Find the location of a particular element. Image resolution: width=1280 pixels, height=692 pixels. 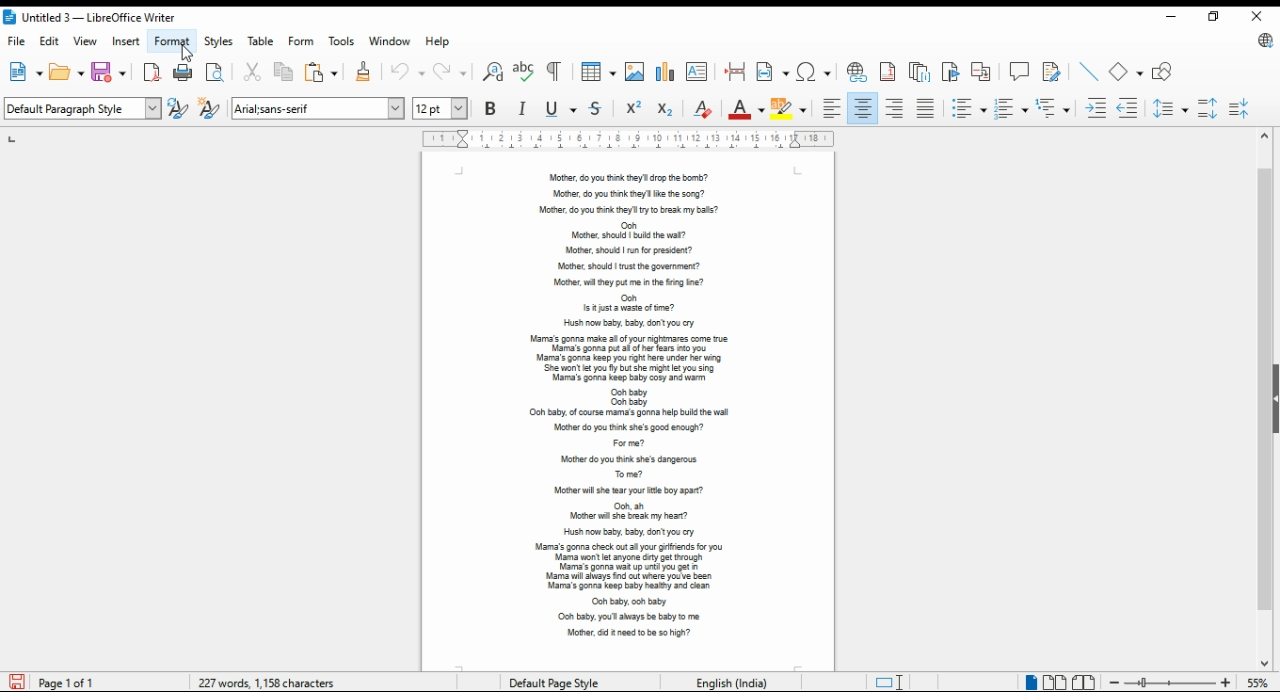

restore is located at coordinates (1211, 17).